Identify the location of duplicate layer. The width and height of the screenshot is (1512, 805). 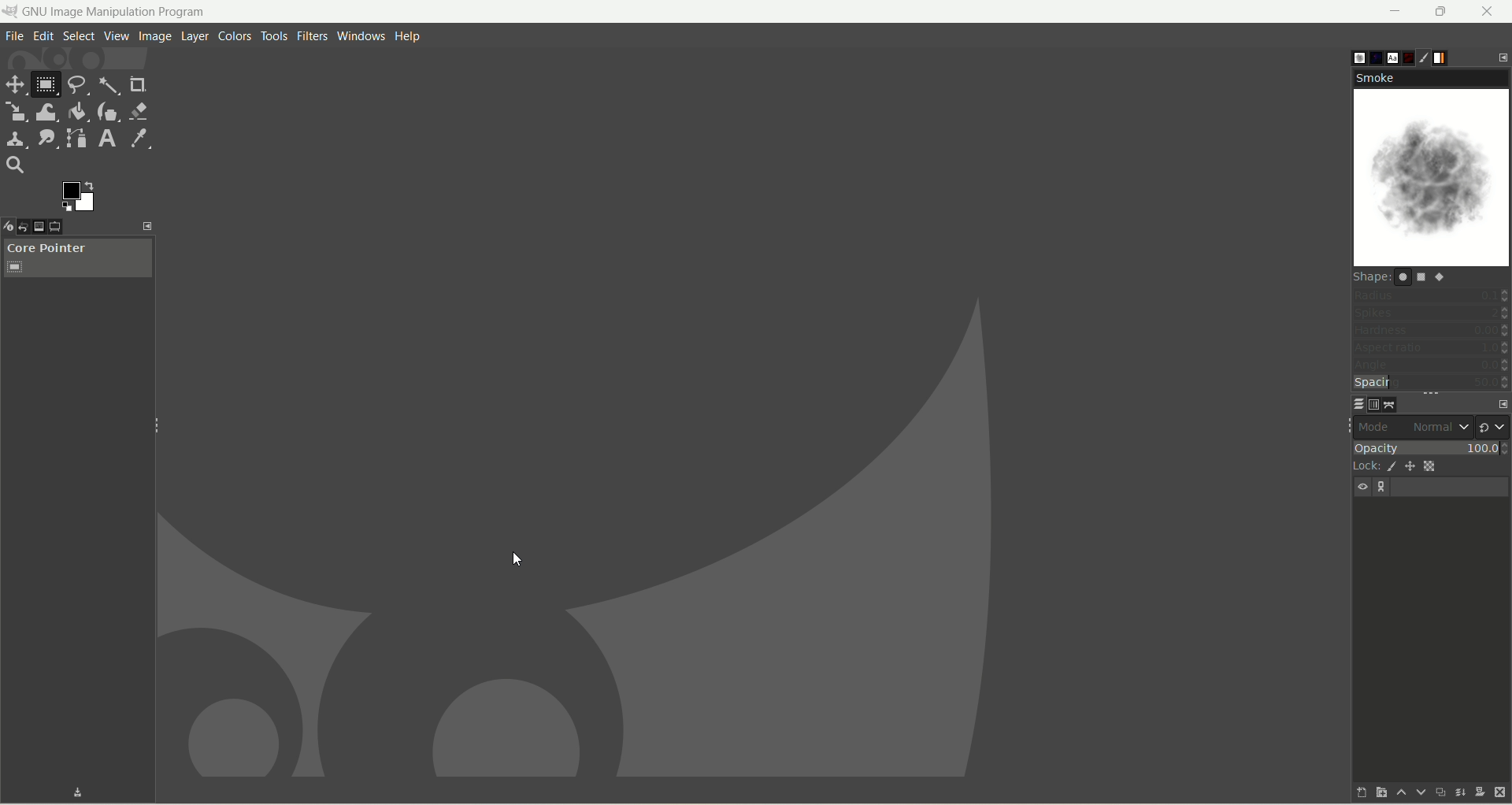
(1437, 792).